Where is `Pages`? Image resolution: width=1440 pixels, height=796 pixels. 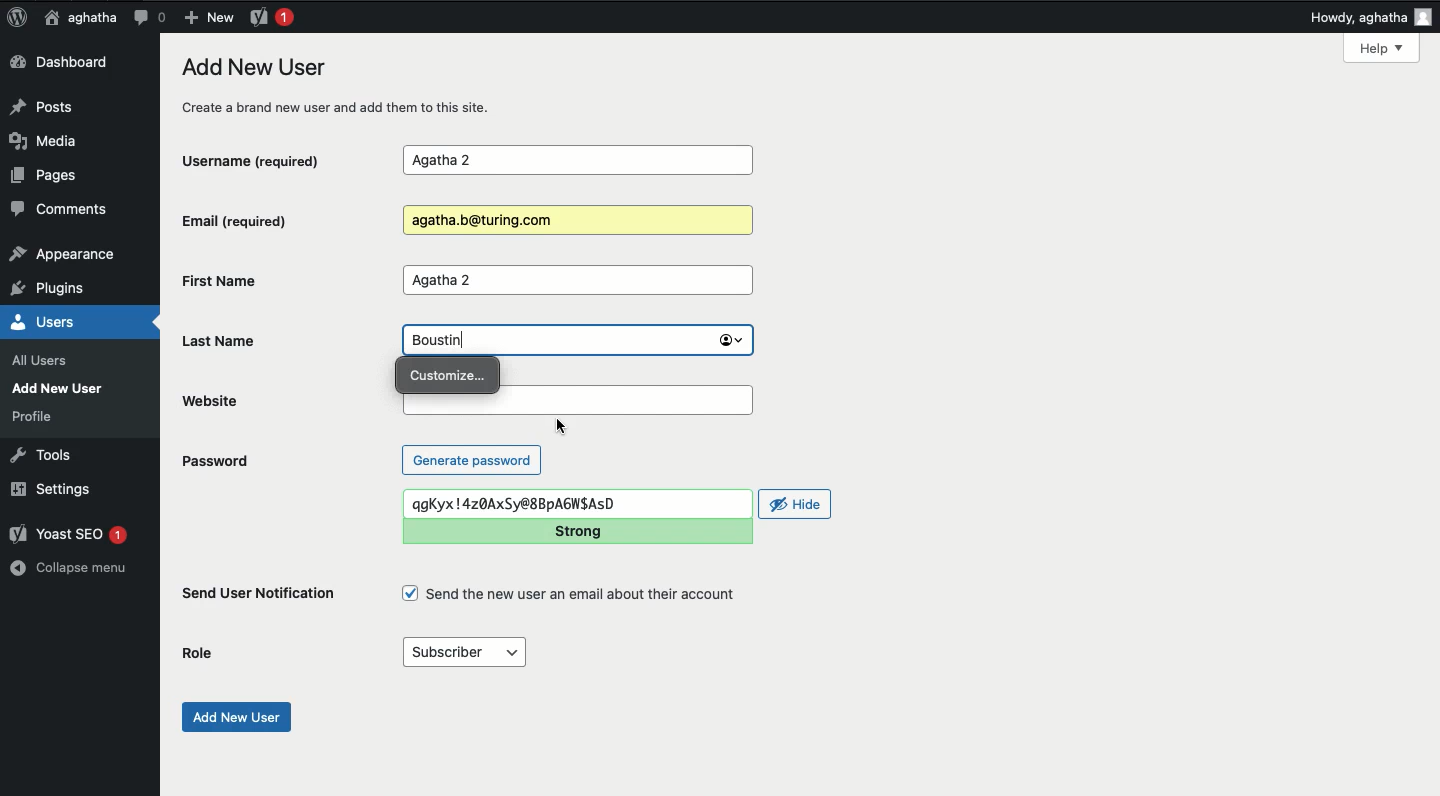 Pages is located at coordinates (50, 179).